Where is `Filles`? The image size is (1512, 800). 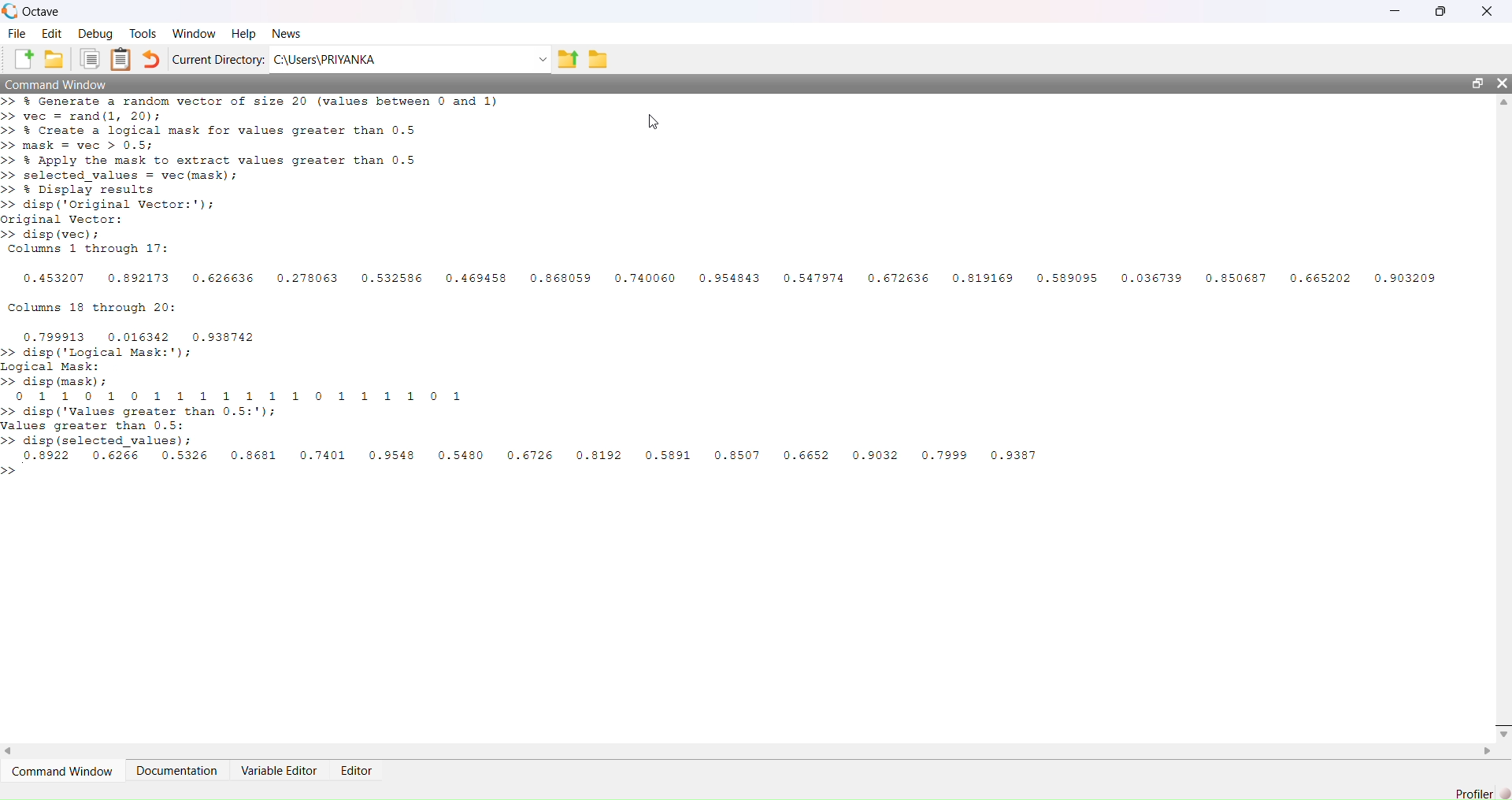 Filles is located at coordinates (91, 60).